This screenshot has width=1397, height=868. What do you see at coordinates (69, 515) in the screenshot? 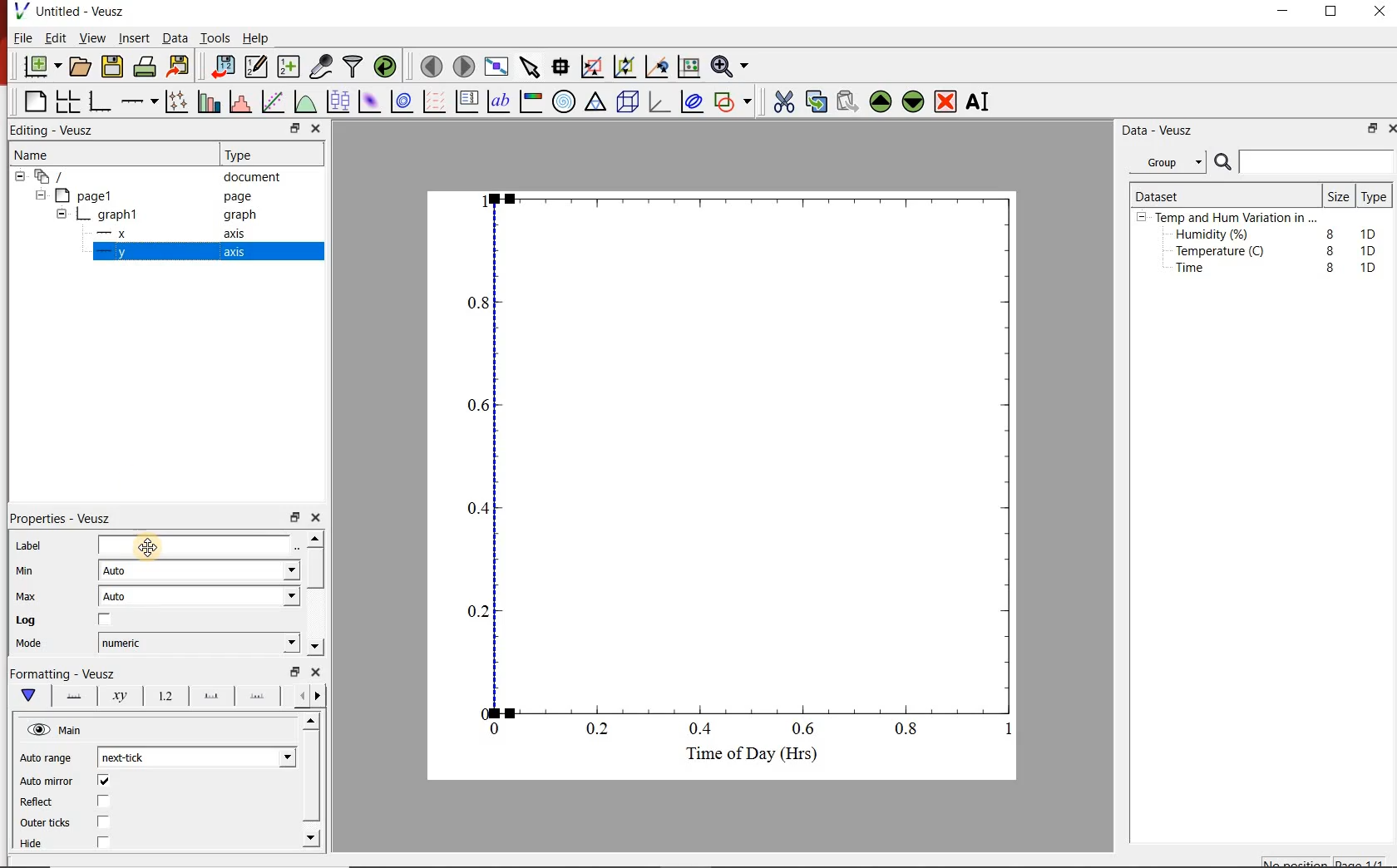
I see `Properties - Veusz` at bounding box center [69, 515].